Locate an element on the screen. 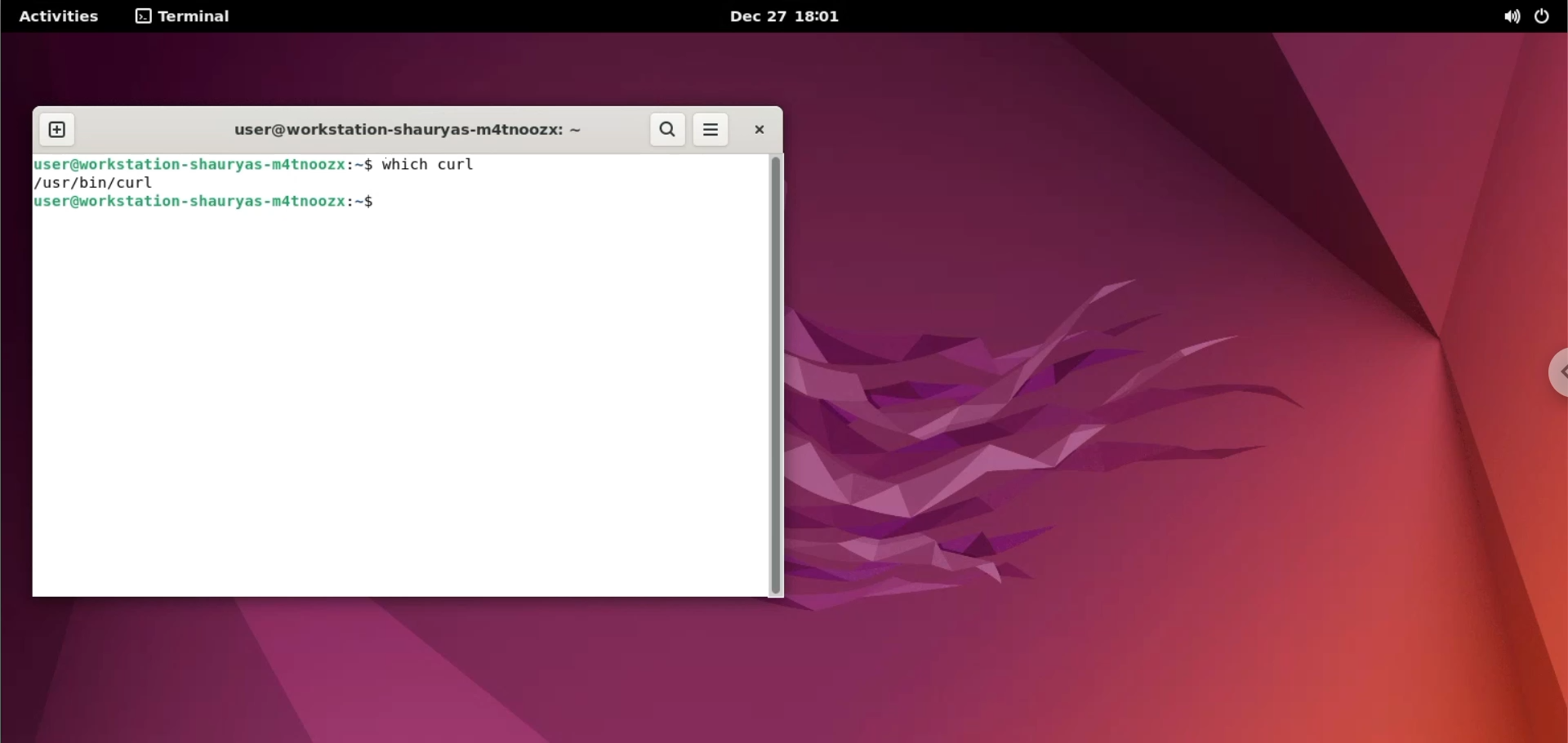 Image resolution: width=1568 pixels, height=743 pixels. command input is located at coordinates (570, 202).